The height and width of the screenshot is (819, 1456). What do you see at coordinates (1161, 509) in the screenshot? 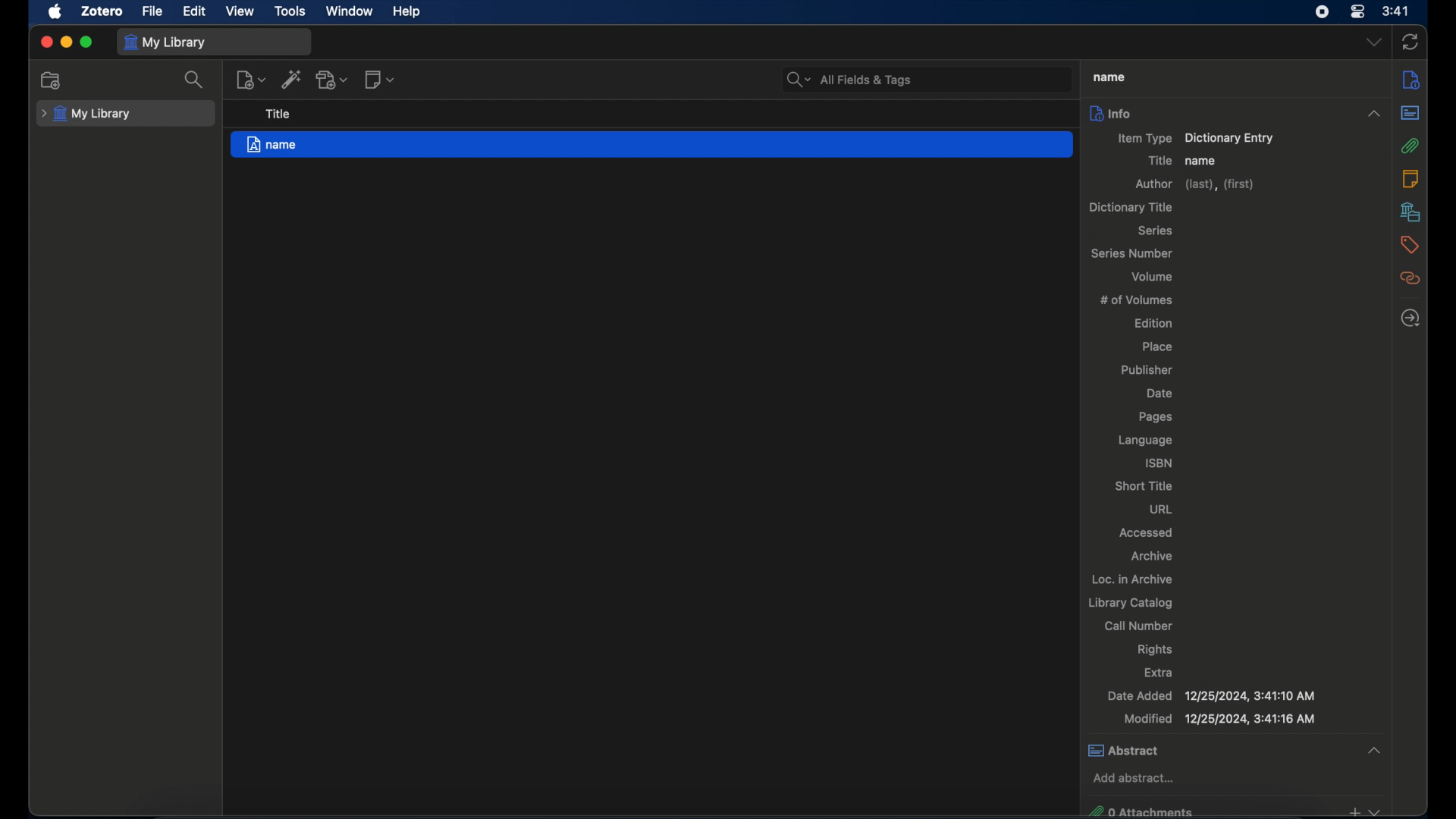
I see `url` at bounding box center [1161, 509].